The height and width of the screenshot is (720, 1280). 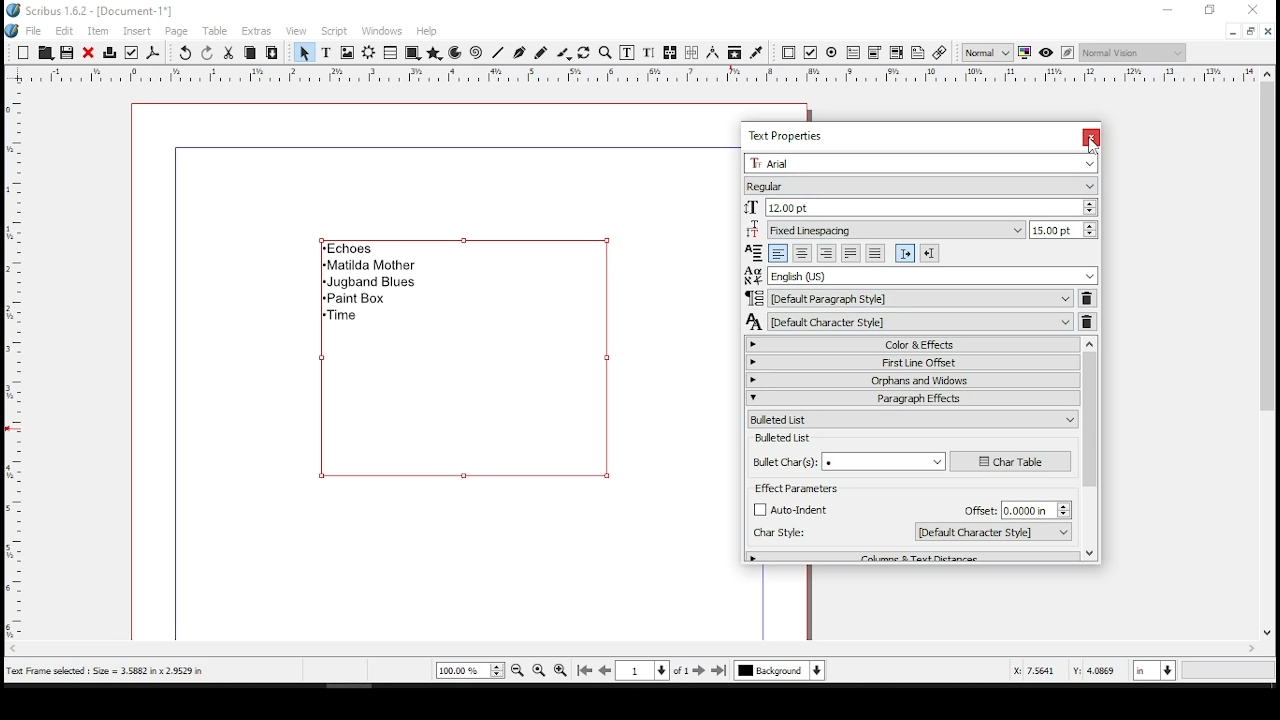 I want to click on align text center, so click(x=802, y=253).